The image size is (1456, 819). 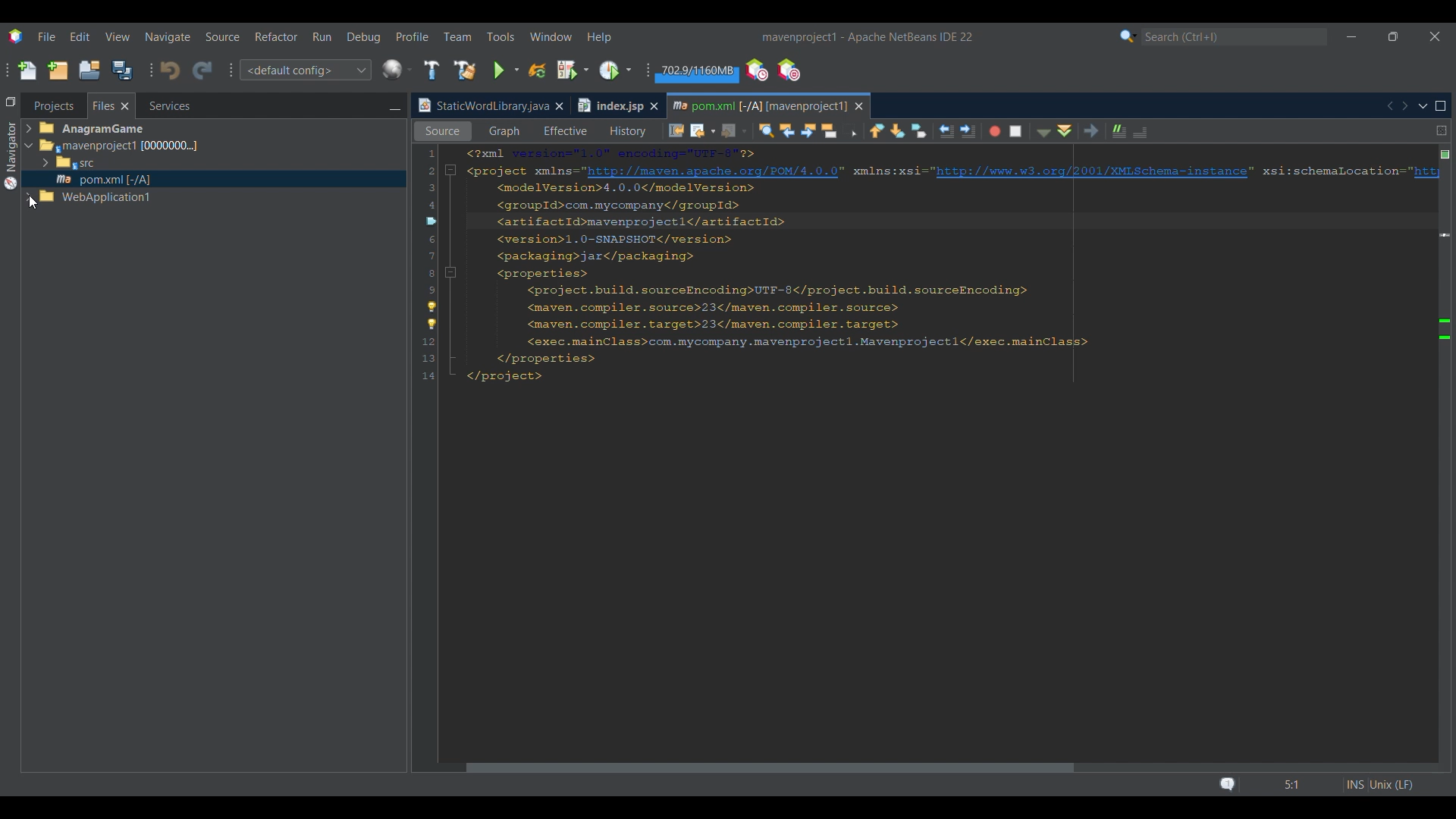 I want to click on Cursor clicking on expand, so click(x=33, y=202).